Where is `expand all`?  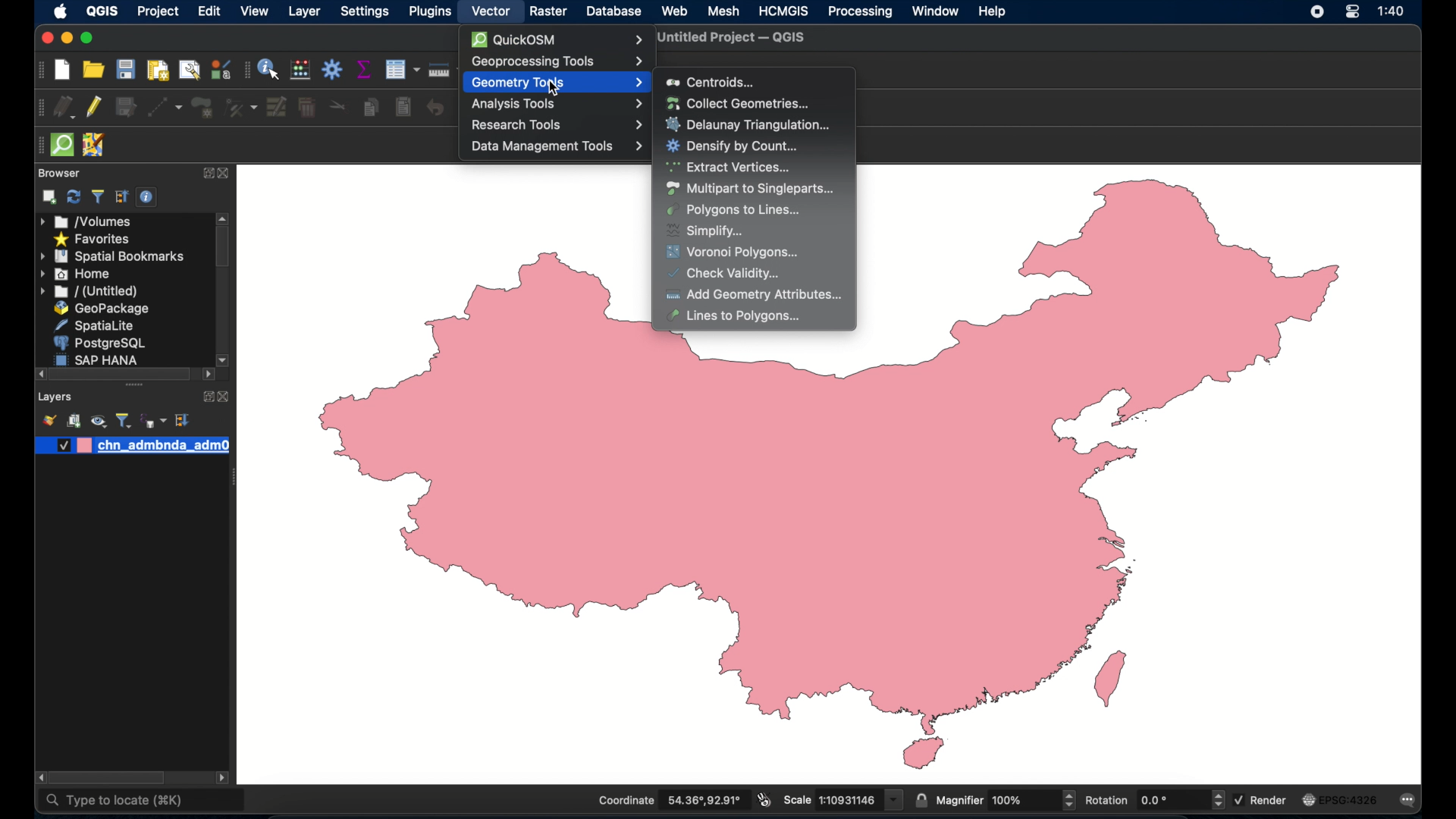 expand all is located at coordinates (122, 197).